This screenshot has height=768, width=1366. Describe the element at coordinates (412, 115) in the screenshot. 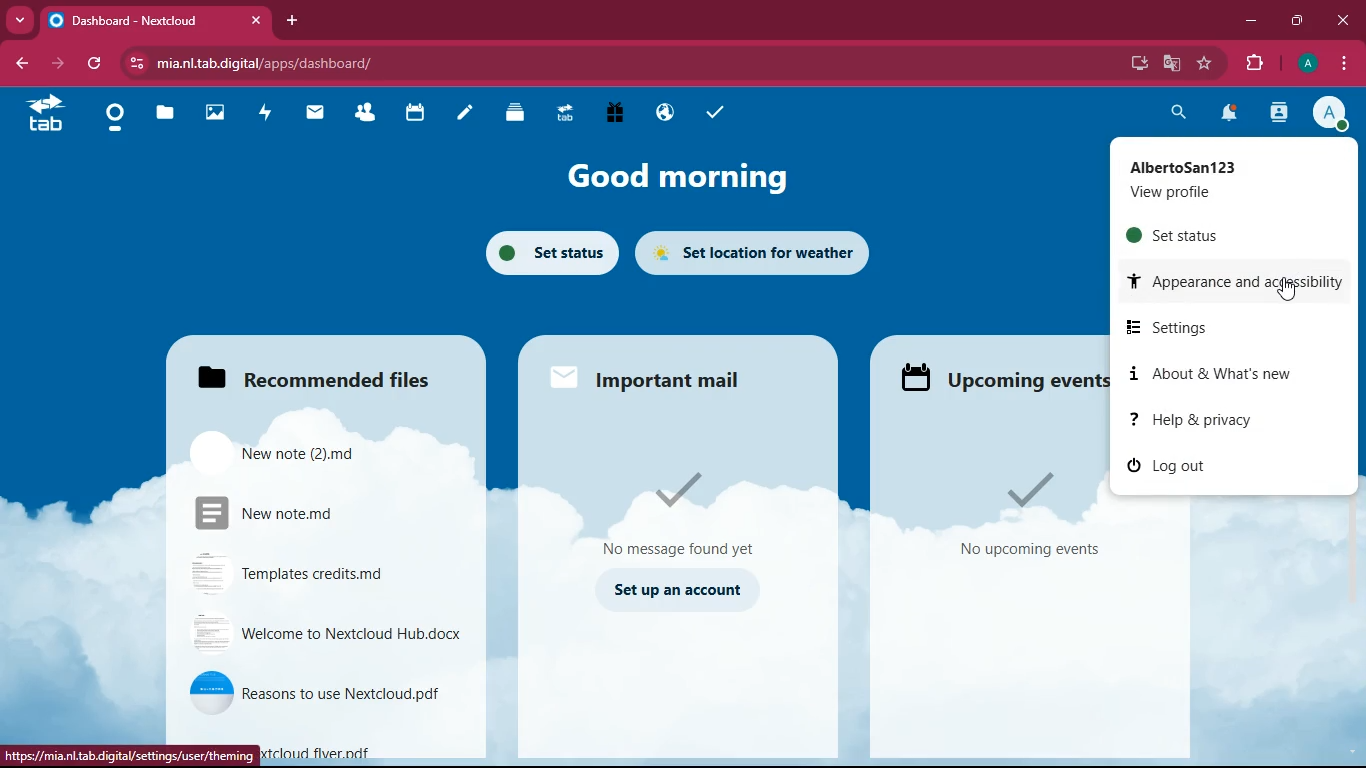

I see `calendar` at that location.